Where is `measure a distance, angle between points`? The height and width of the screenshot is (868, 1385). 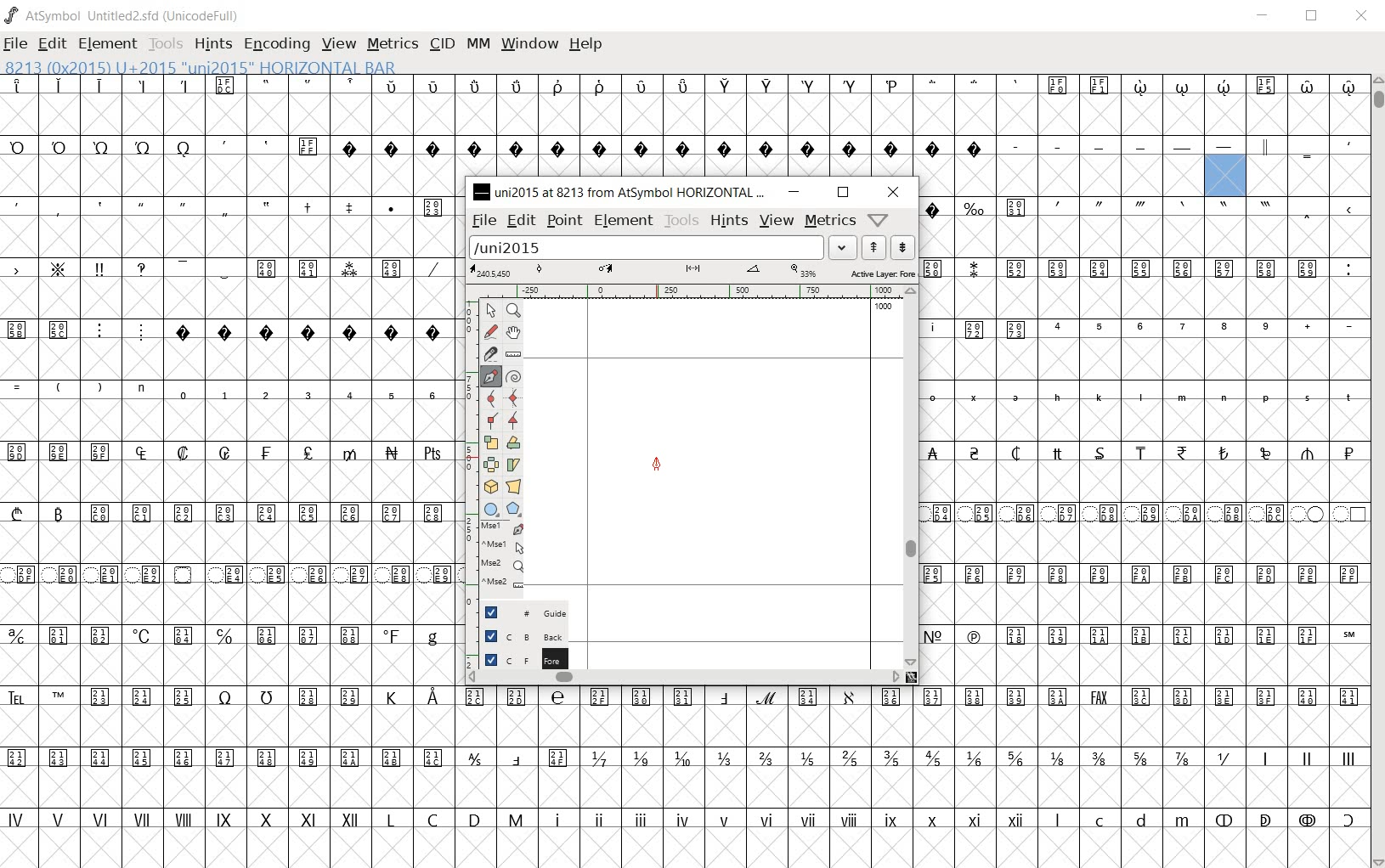 measure a distance, angle between points is located at coordinates (514, 354).